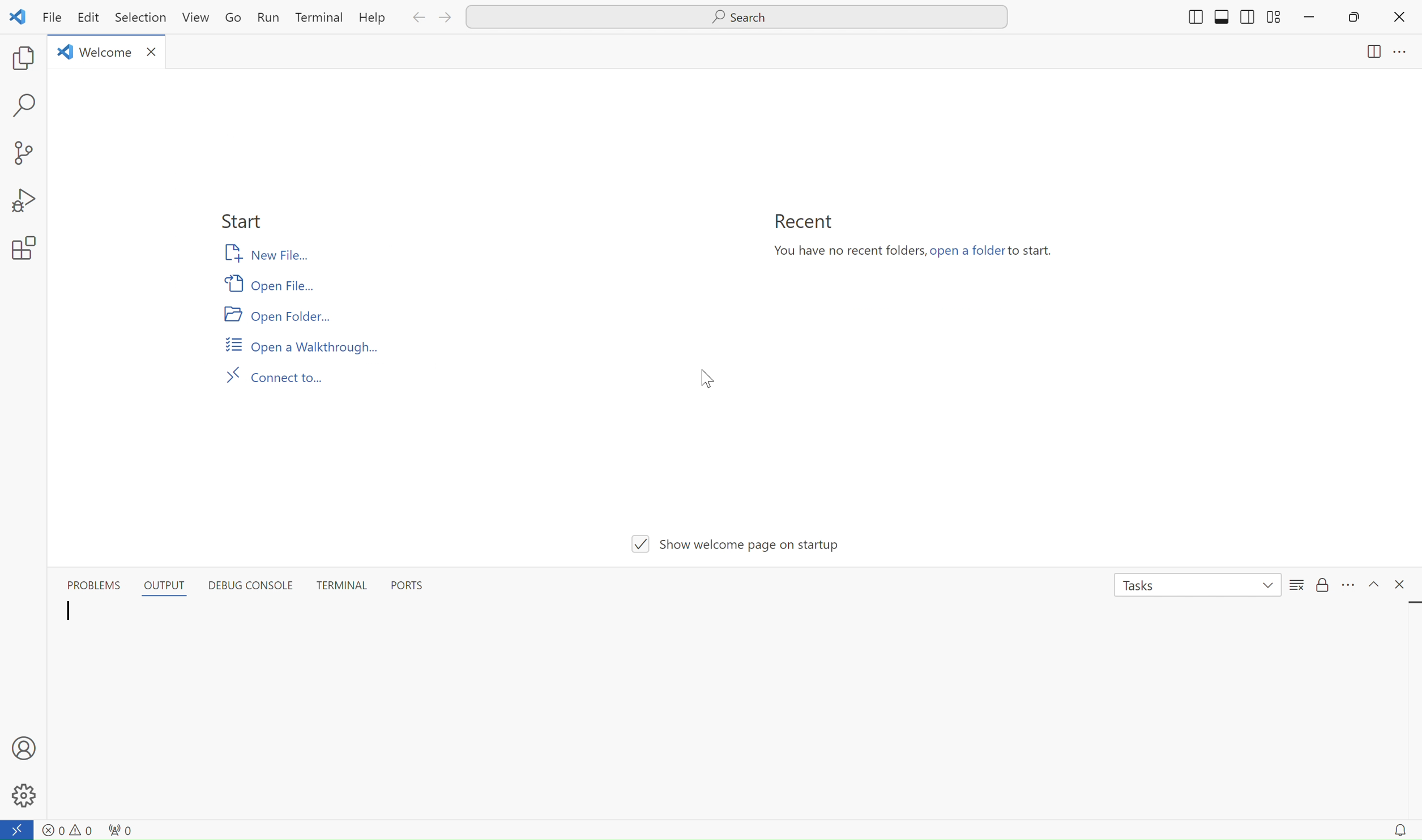  Describe the element at coordinates (712, 379) in the screenshot. I see `cursor` at that location.